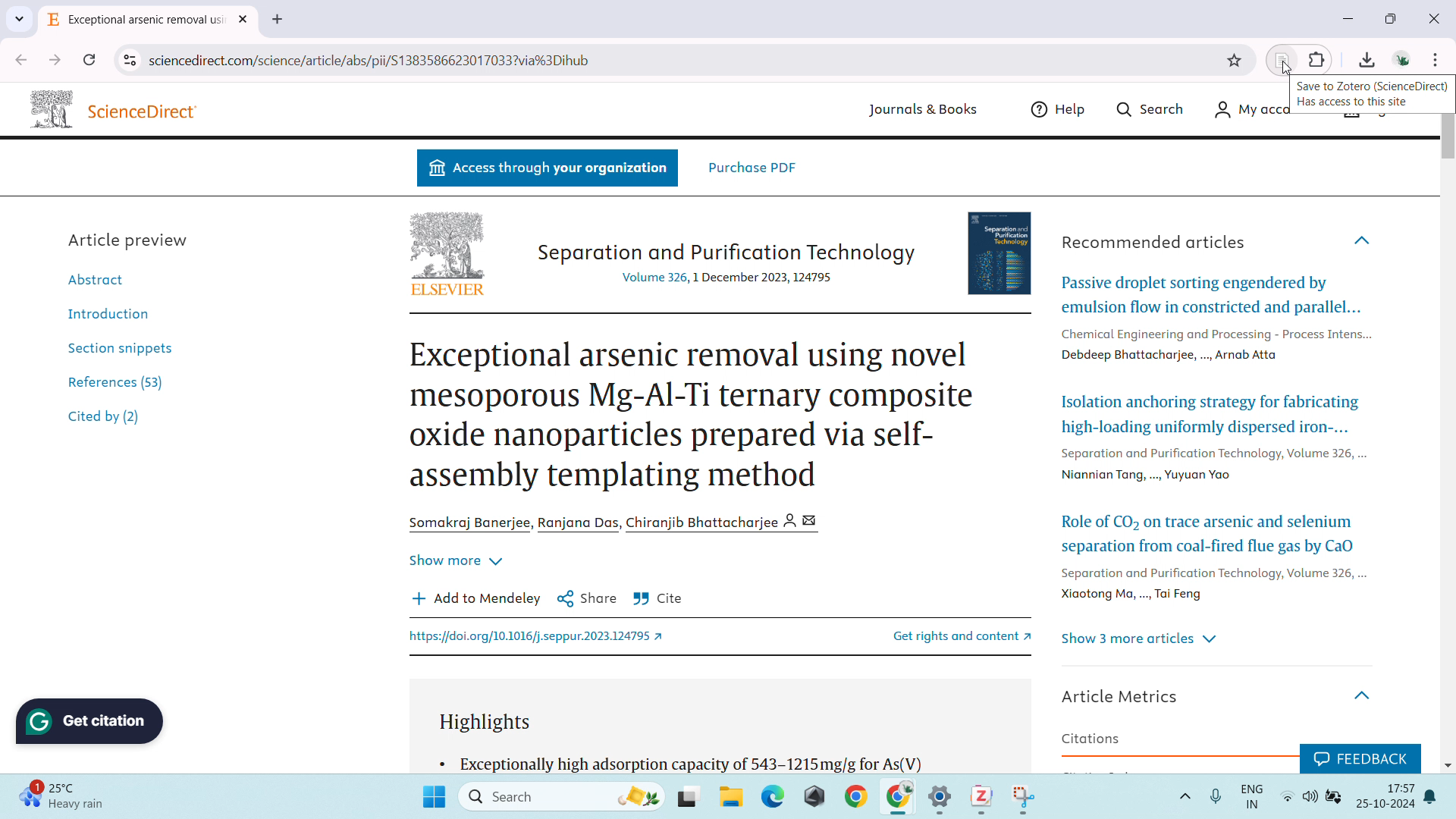 Image resolution: width=1456 pixels, height=819 pixels. I want to click on Grammarly, so click(92, 721).